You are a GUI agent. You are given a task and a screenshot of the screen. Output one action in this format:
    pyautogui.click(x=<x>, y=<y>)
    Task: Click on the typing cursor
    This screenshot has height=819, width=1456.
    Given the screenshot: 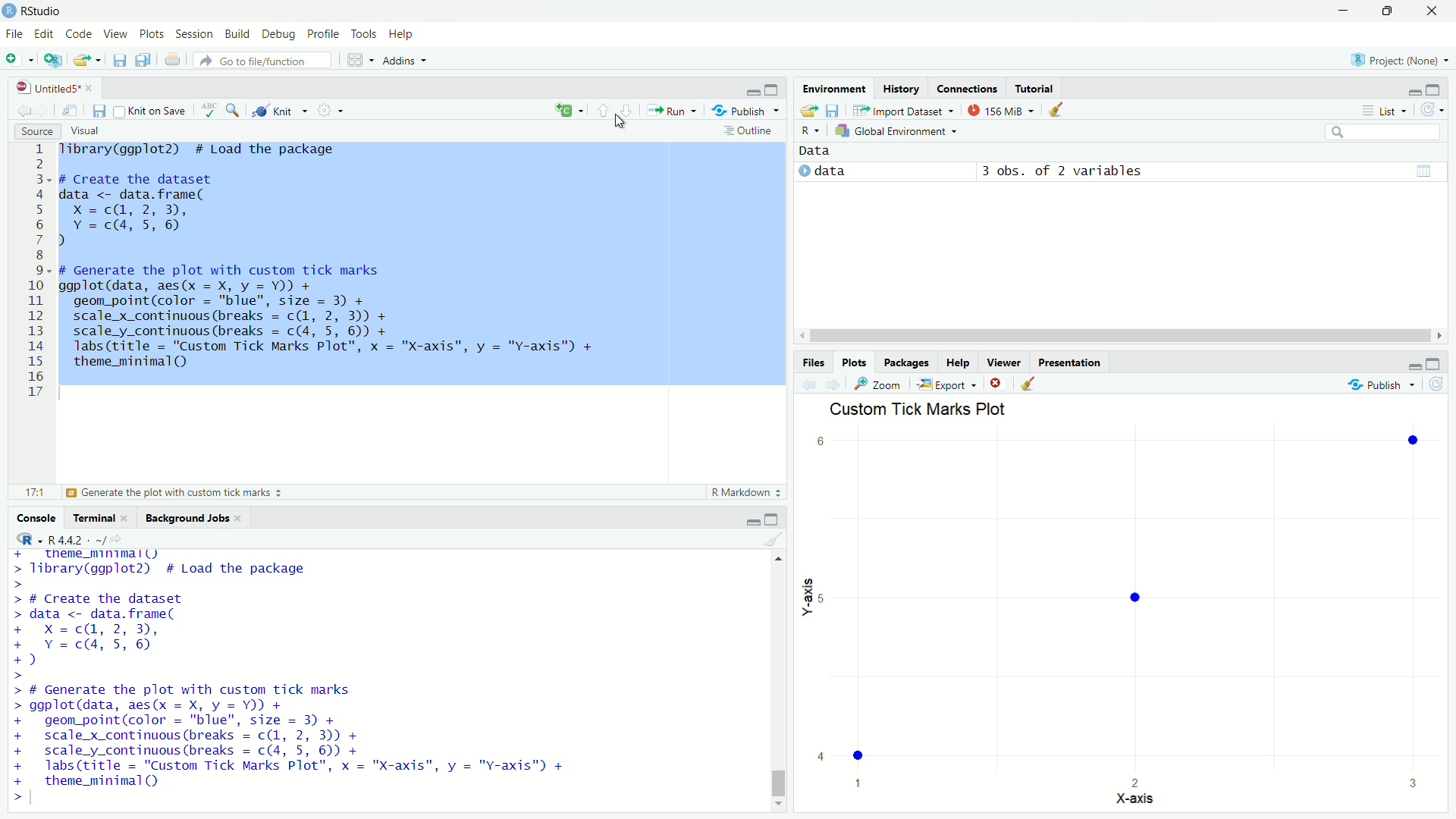 What is the action you would take?
    pyautogui.click(x=37, y=800)
    